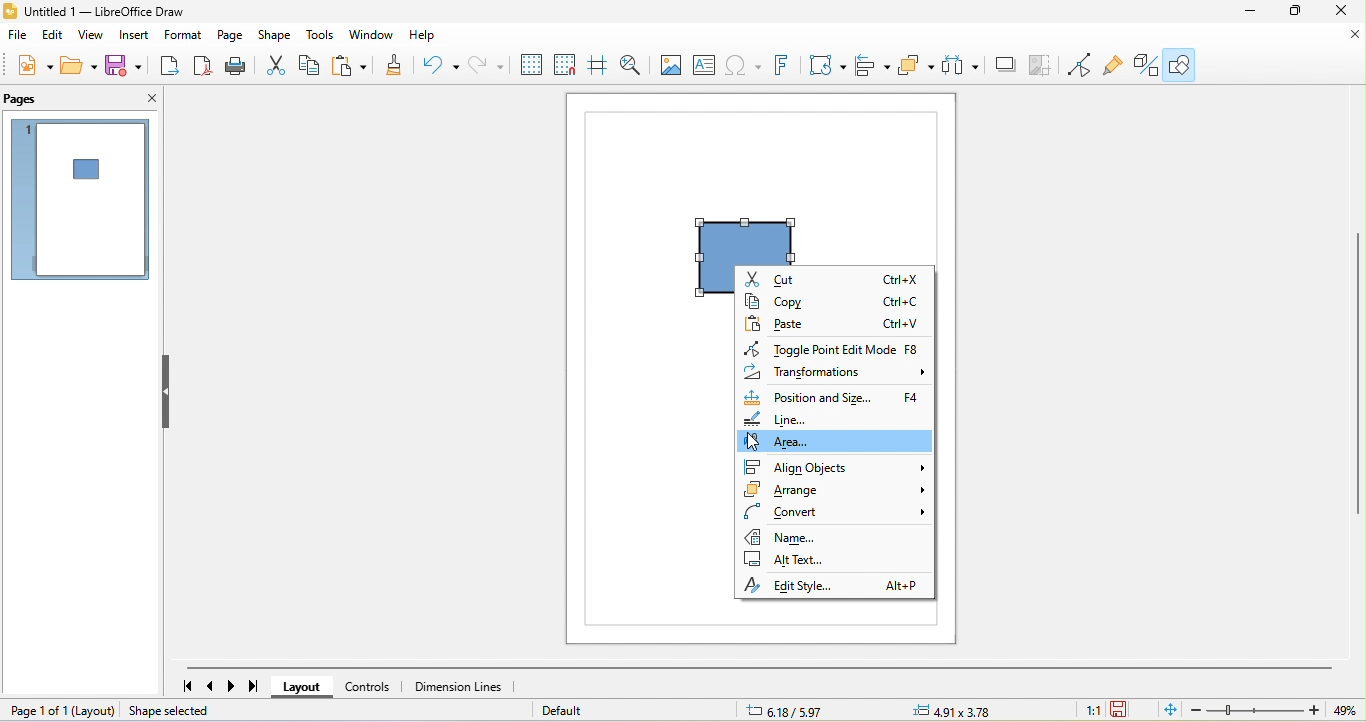 This screenshot has width=1366, height=722. Describe the element at coordinates (875, 67) in the screenshot. I see `align object` at that location.